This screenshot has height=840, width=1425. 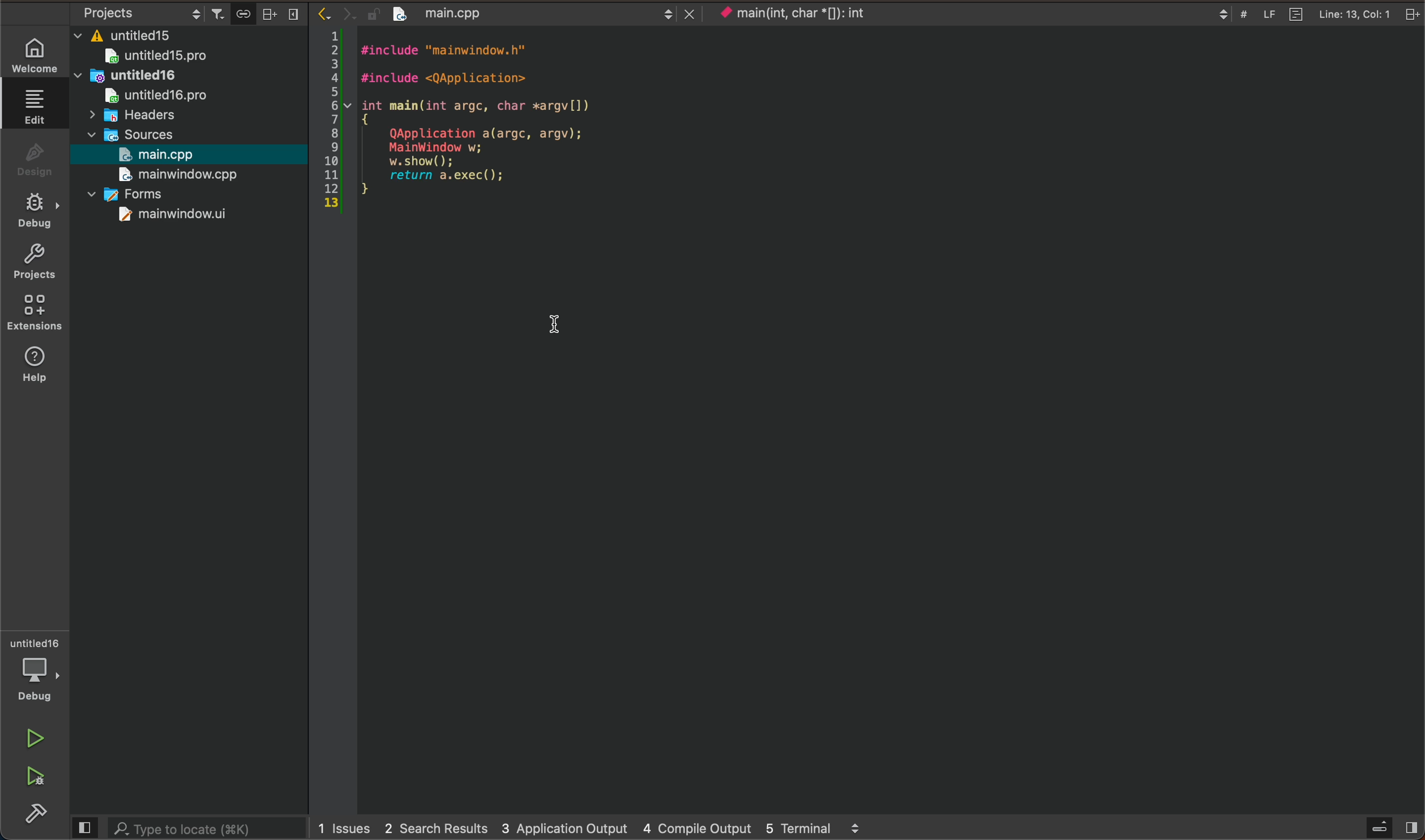 I want to click on sources, so click(x=141, y=132).